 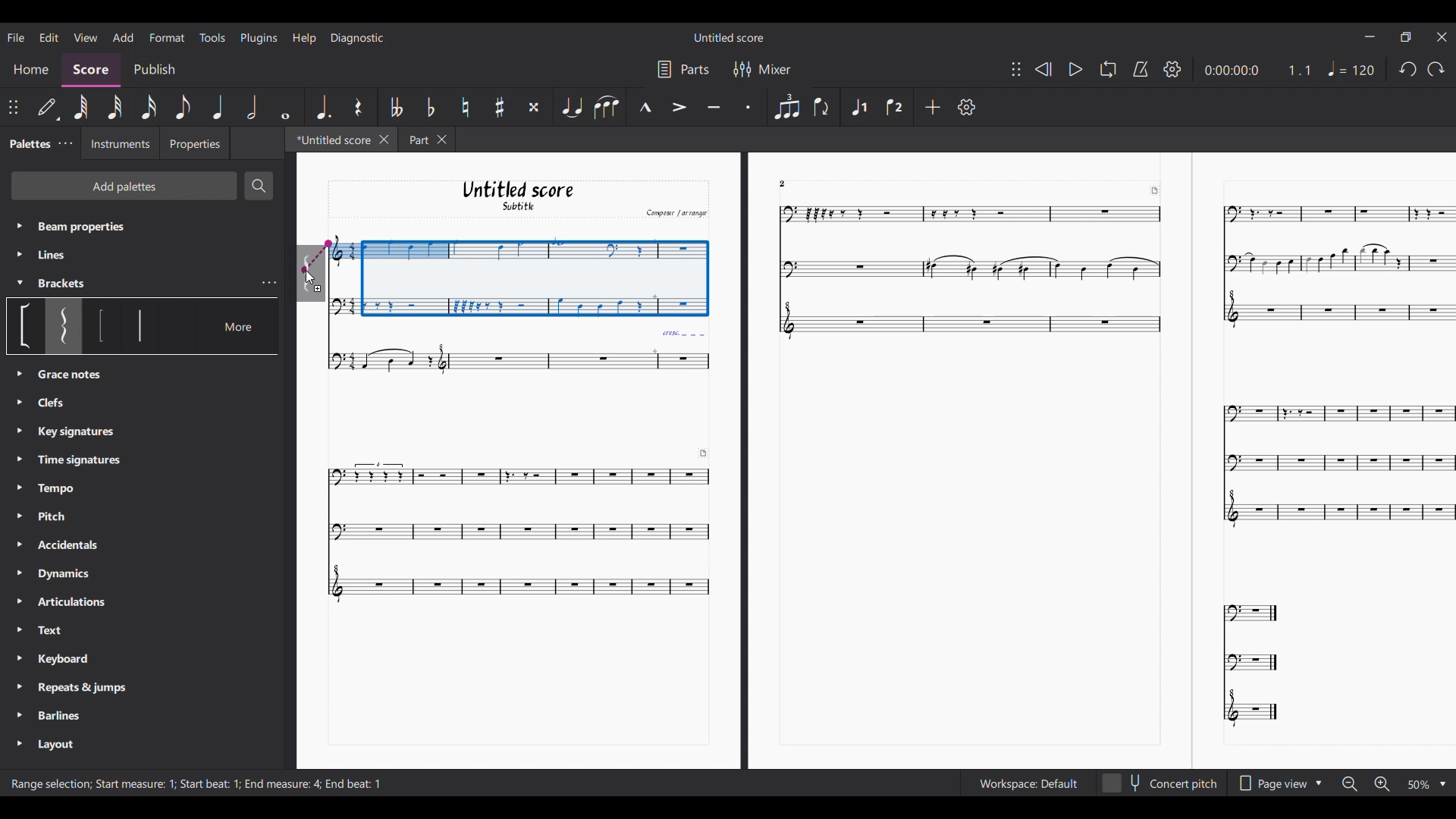 What do you see at coordinates (64, 326) in the screenshot?
I see `Selected bracket highlighted ` at bounding box center [64, 326].